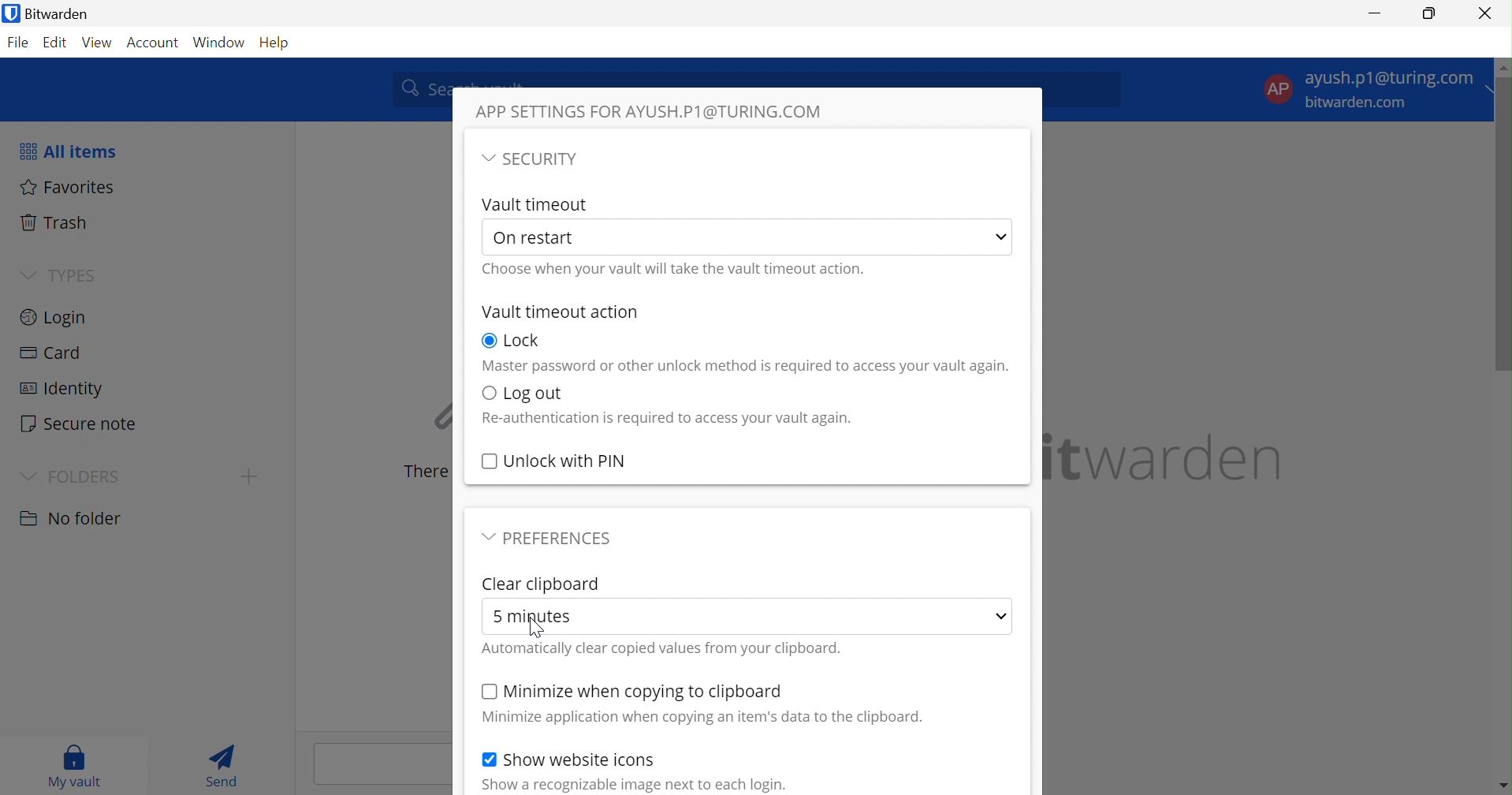  I want to click on On restart, so click(541, 238).